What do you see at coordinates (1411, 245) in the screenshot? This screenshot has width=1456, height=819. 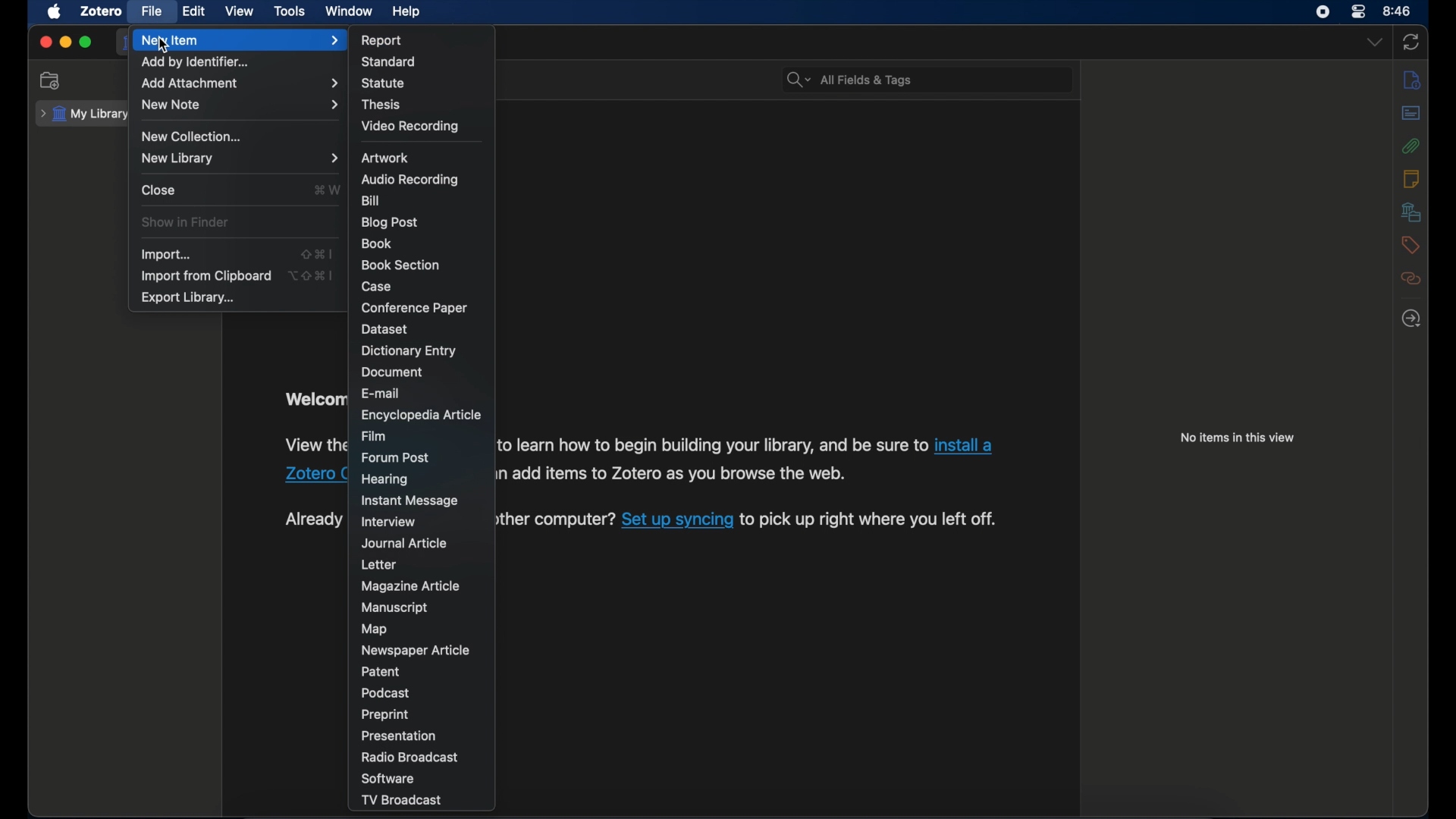 I see `tags` at bounding box center [1411, 245].